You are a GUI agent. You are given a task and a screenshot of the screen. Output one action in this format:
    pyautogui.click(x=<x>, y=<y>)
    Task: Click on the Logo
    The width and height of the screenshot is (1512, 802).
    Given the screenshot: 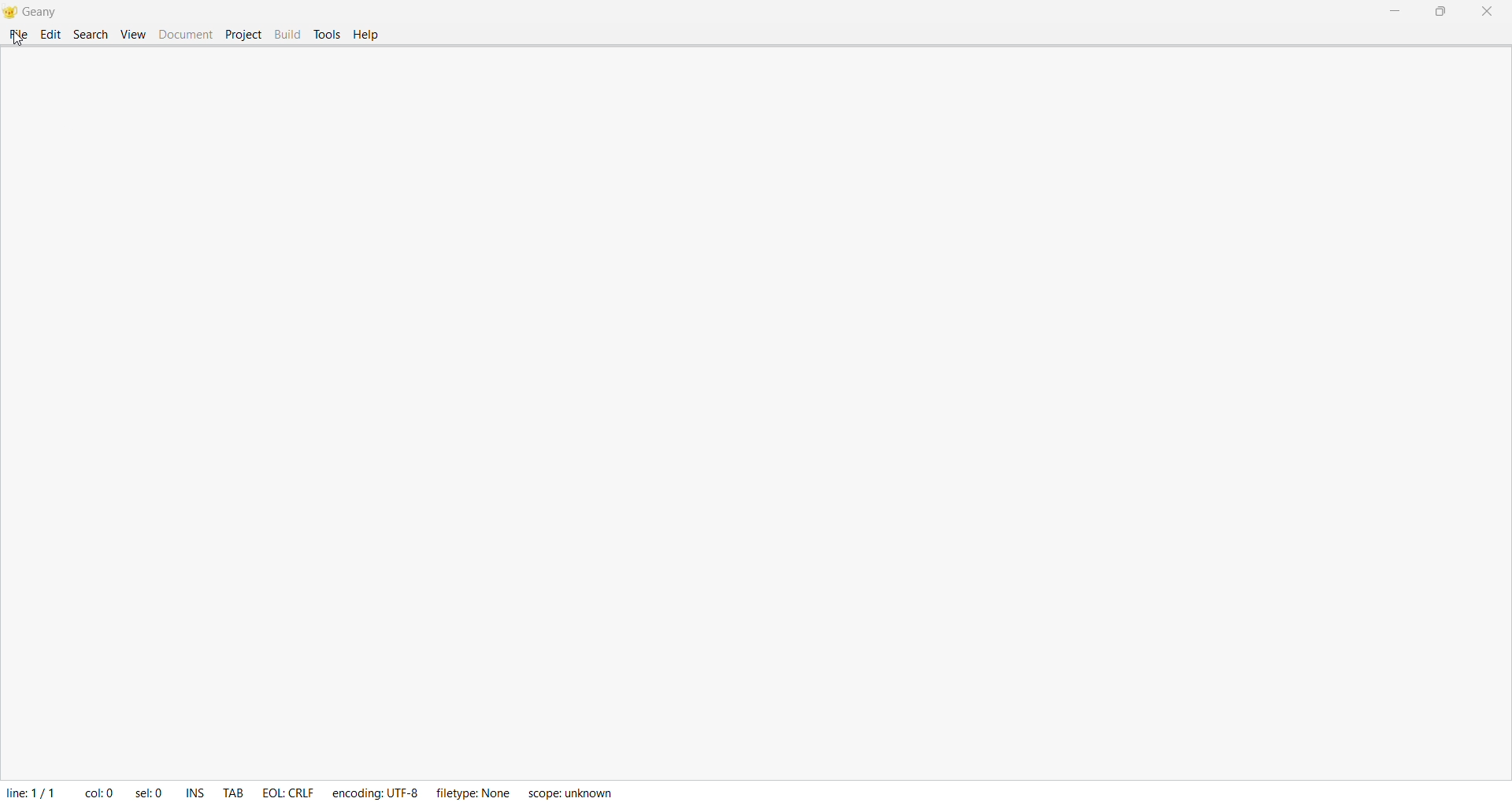 What is the action you would take?
    pyautogui.click(x=12, y=13)
    